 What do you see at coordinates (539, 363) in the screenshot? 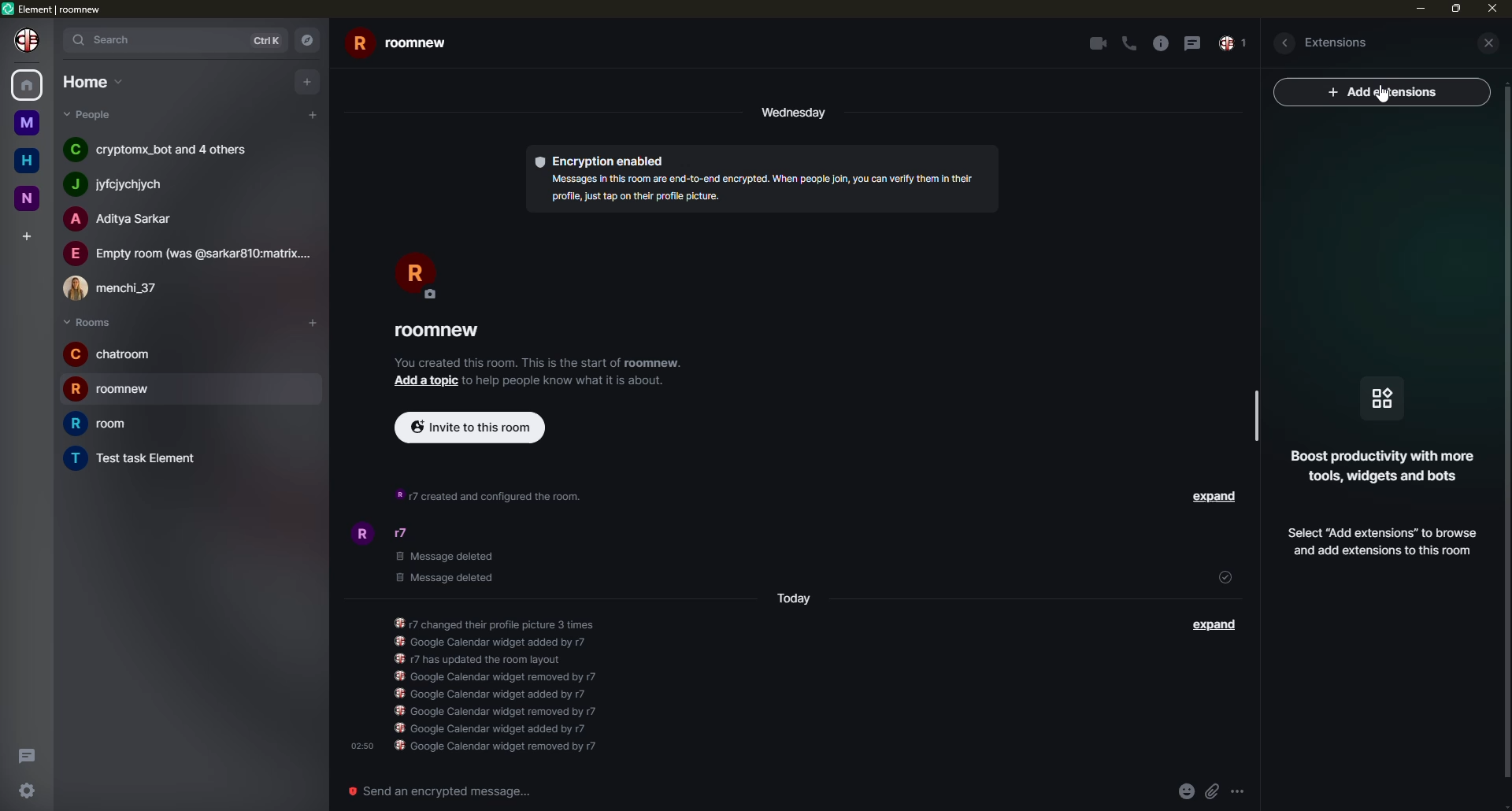
I see `info` at bounding box center [539, 363].